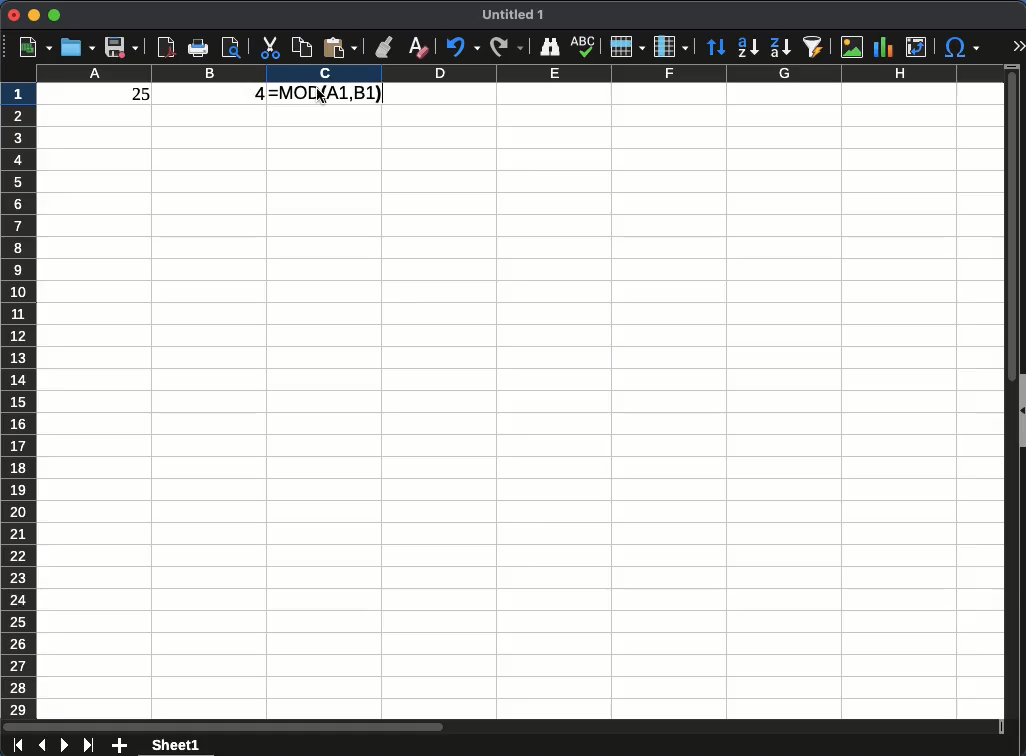  Describe the element at coordinates (133, 94) in the screenshot. I see `25` at that location.